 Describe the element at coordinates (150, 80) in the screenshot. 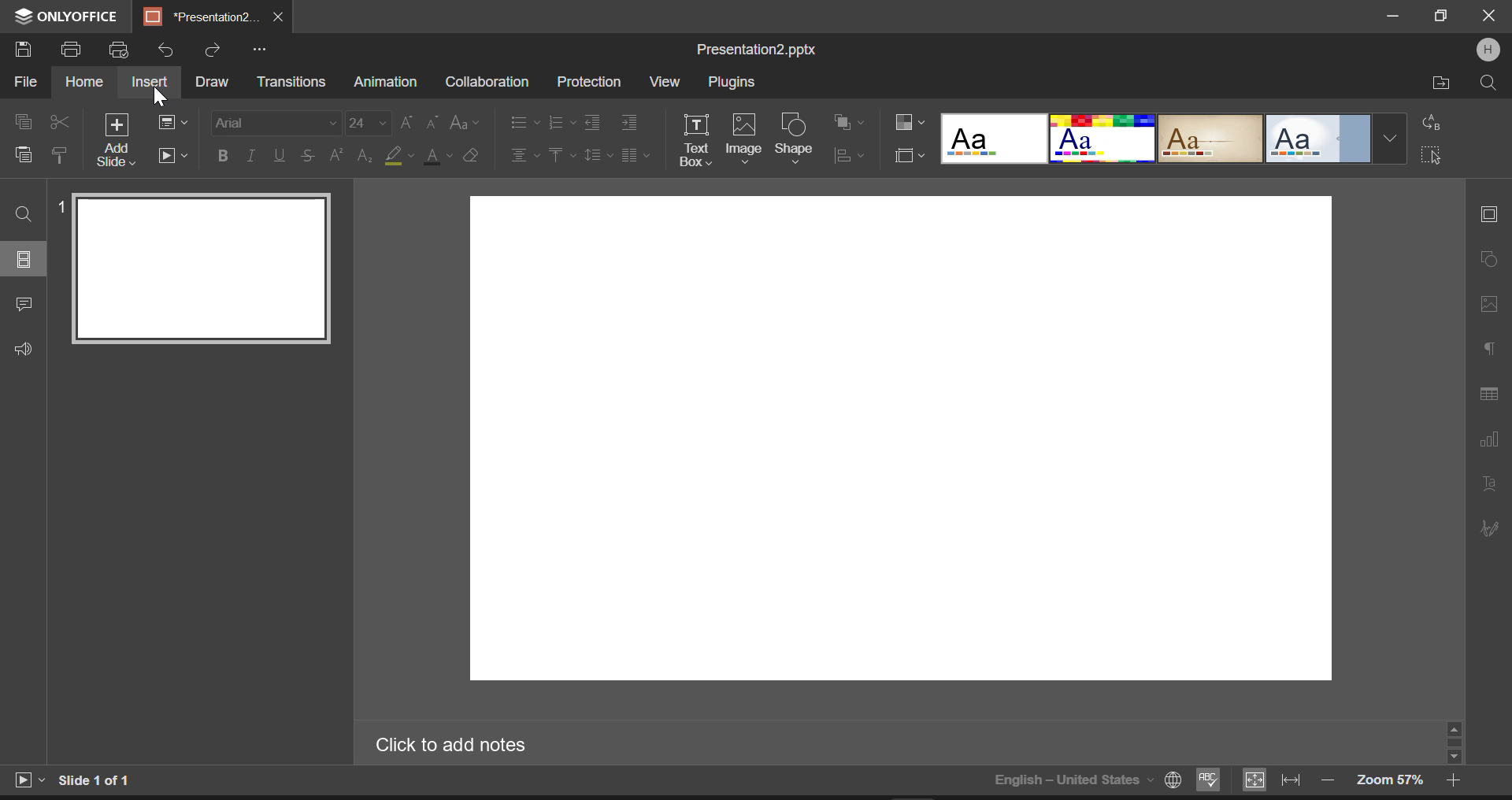

I see `Insert` at that location.